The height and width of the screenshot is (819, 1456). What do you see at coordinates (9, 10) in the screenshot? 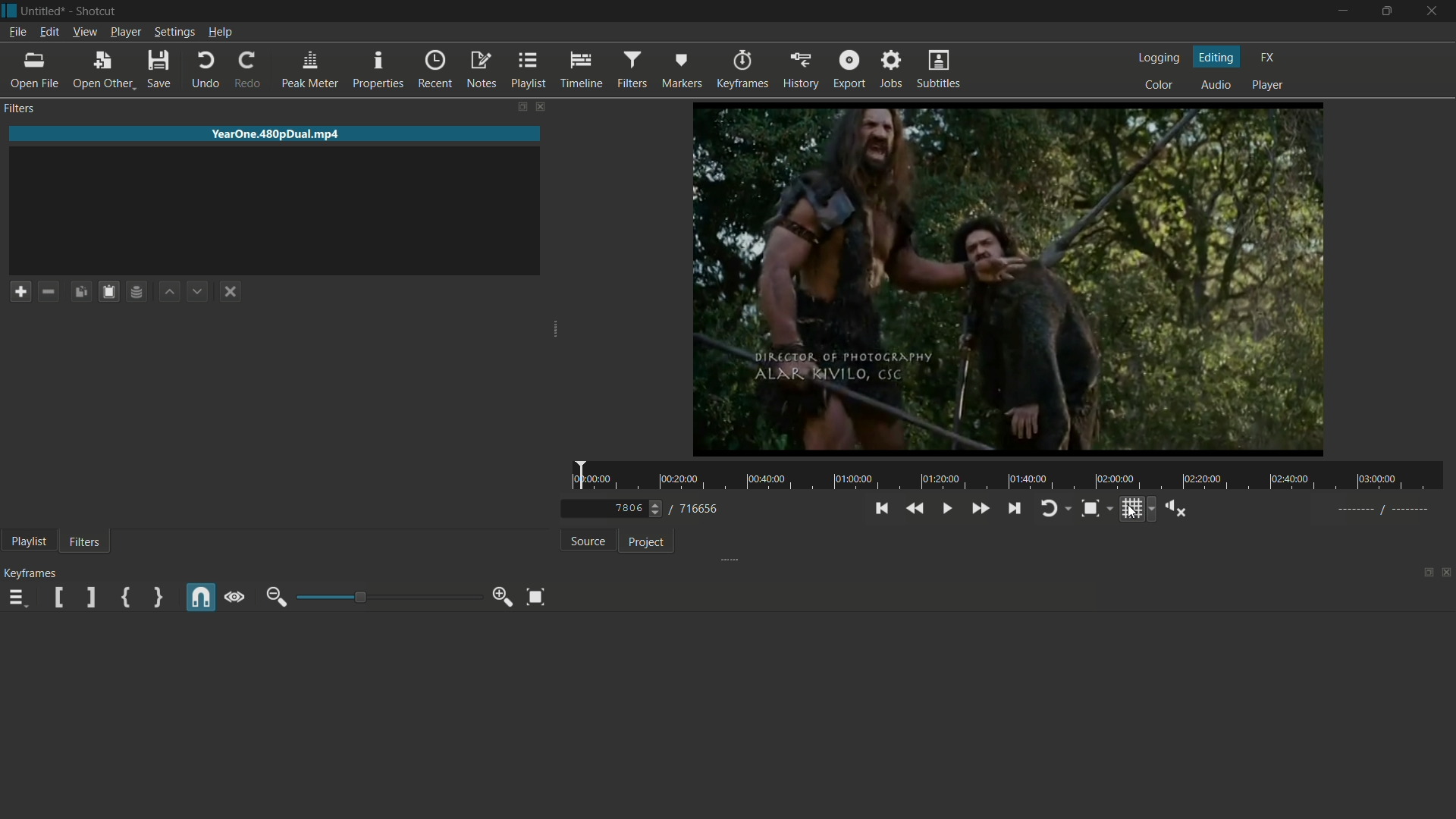
I see `app icon` at bounding box center [9, 10].